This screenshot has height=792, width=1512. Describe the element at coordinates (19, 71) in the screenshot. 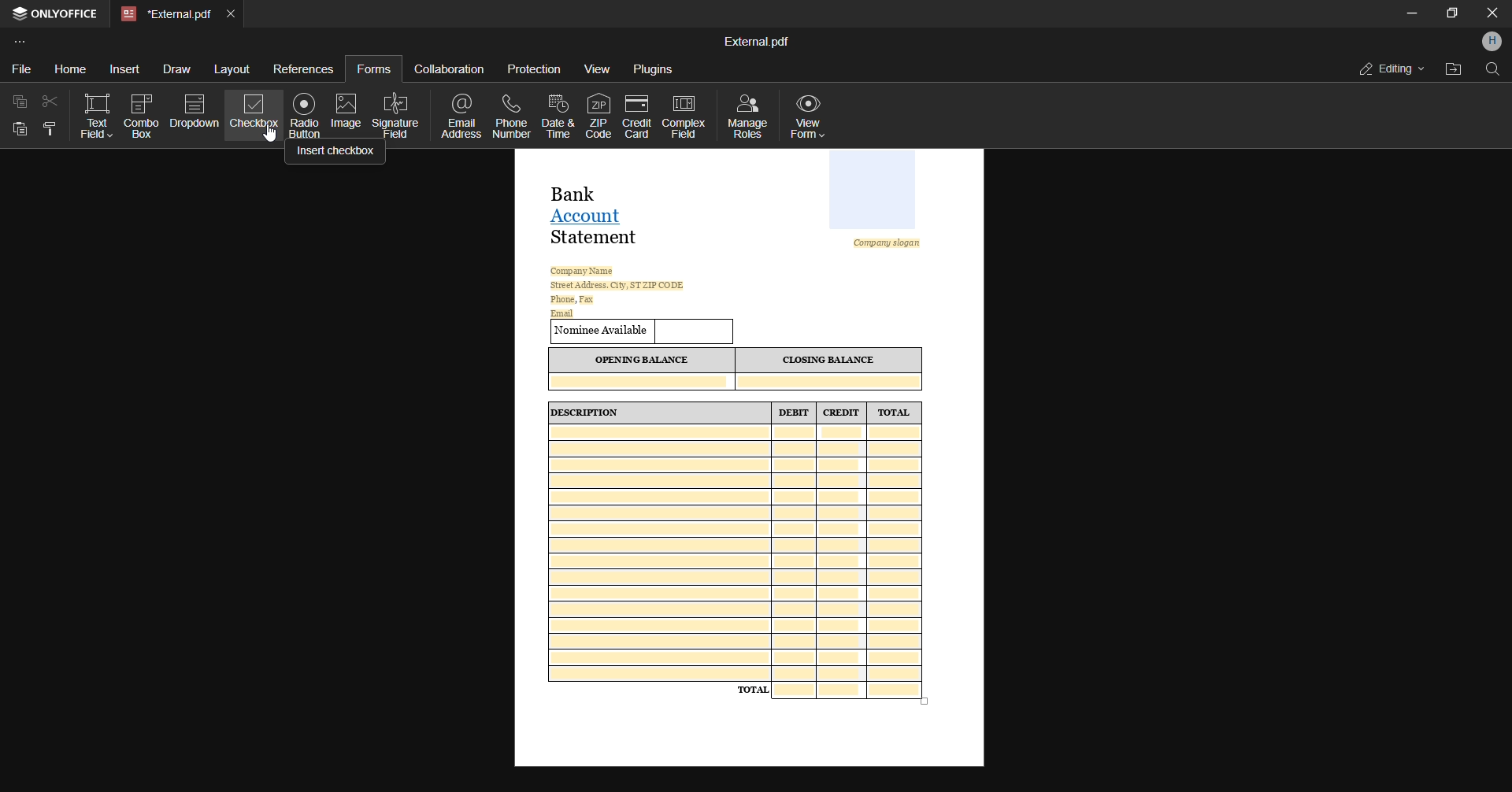

I see `file` at that location.